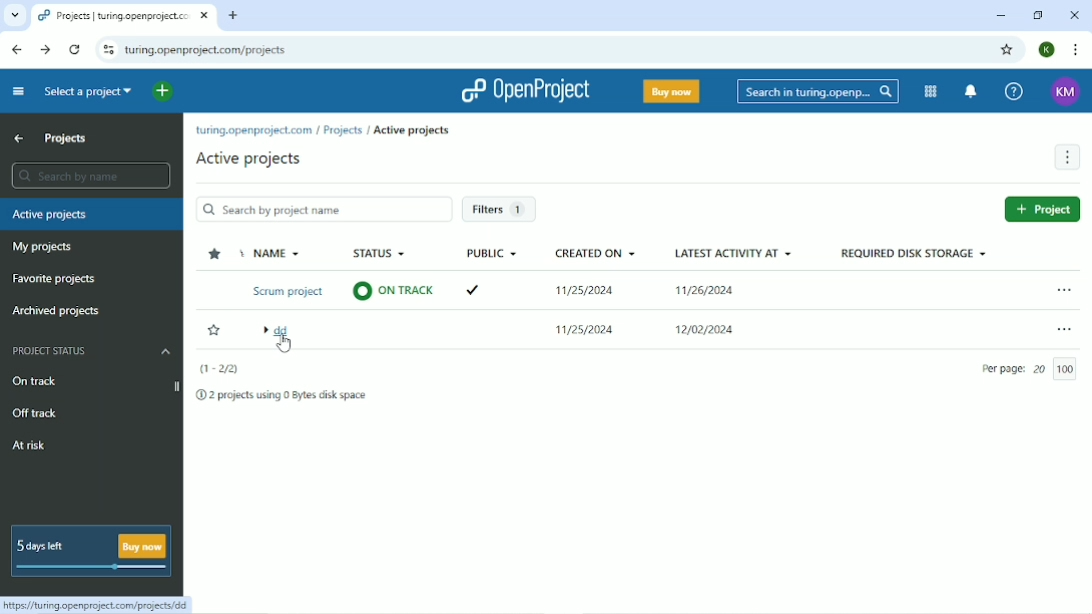 Image resolution: width=1092 pixels, height=614 pixels. I want to click on Archived projects, so click(61, 313).